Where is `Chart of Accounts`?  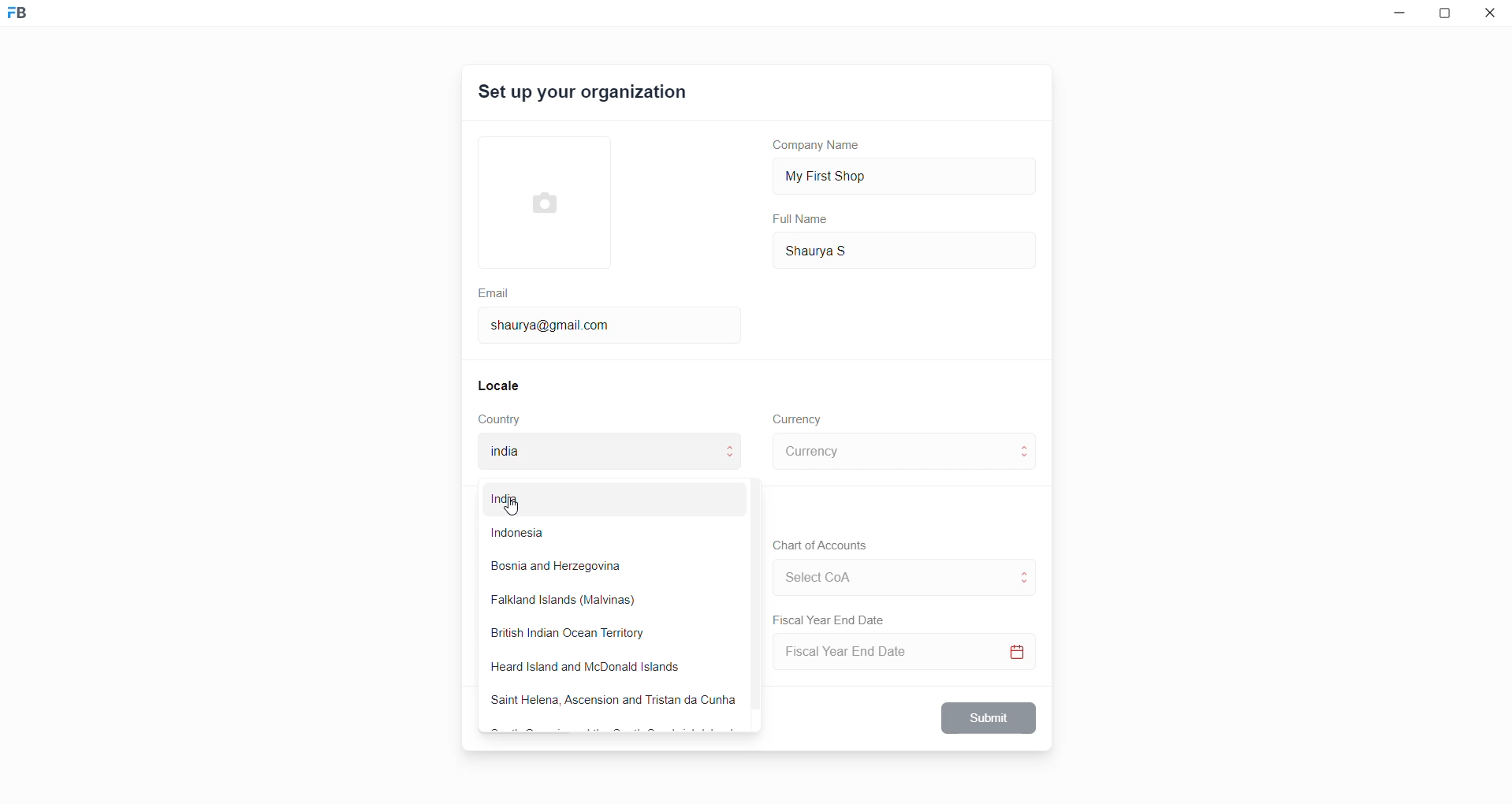
Chart of Accounts is located at coordinates (815, 545).